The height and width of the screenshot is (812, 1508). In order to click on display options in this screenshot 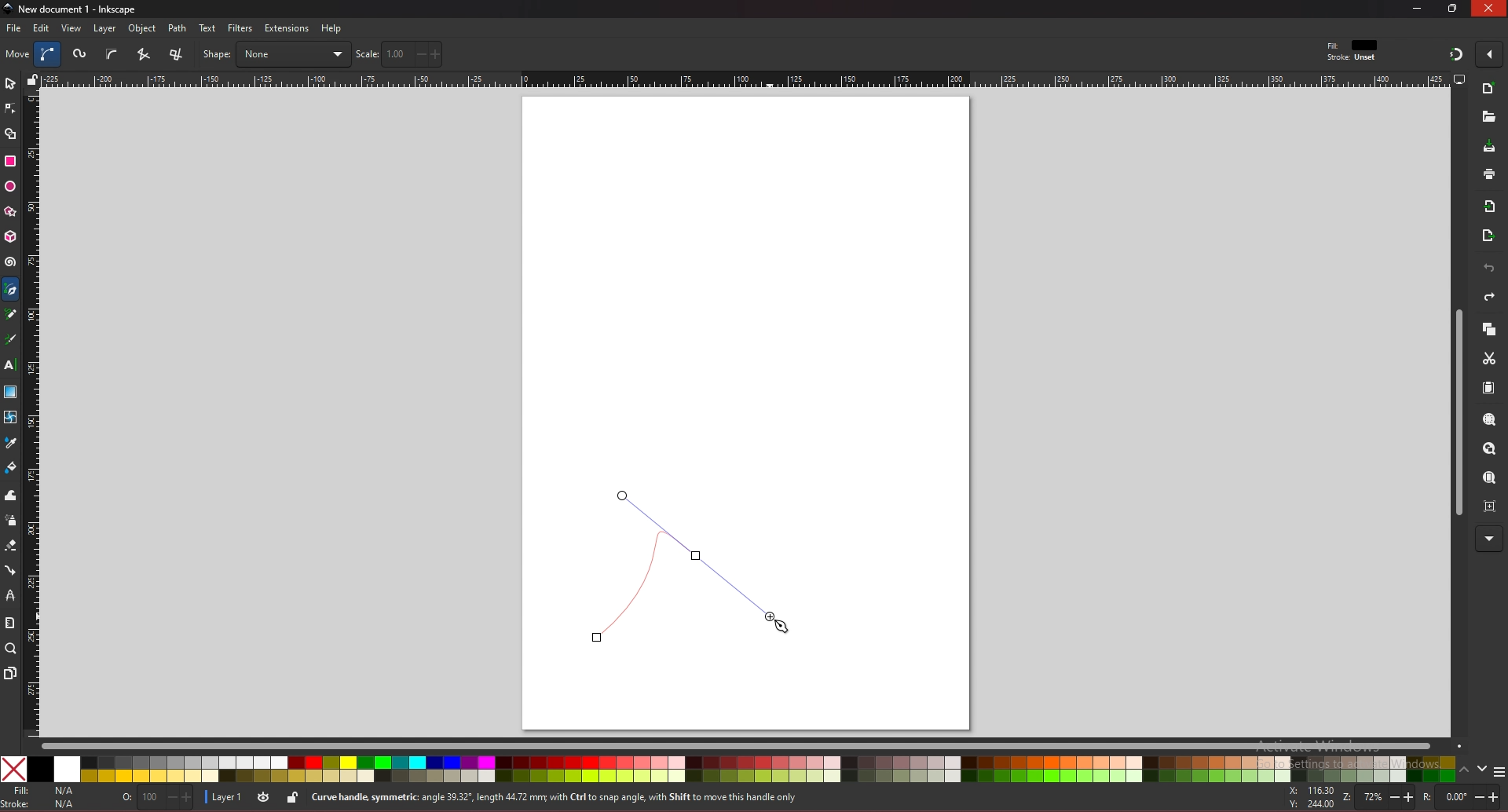, I will do `click(1459, 79)`.